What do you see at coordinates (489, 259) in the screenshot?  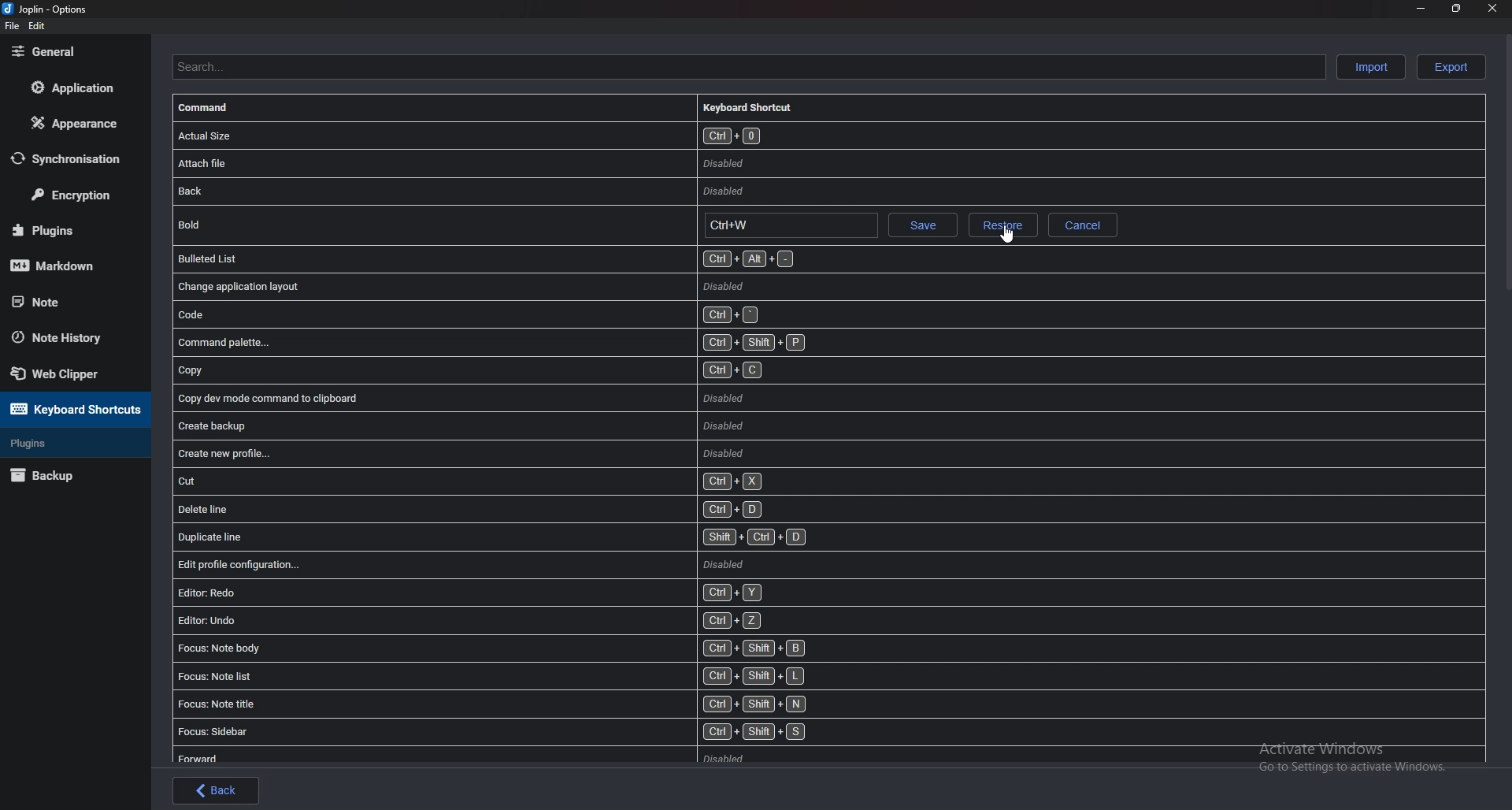 I see `Bullet list` at bounding box center [489, 259].